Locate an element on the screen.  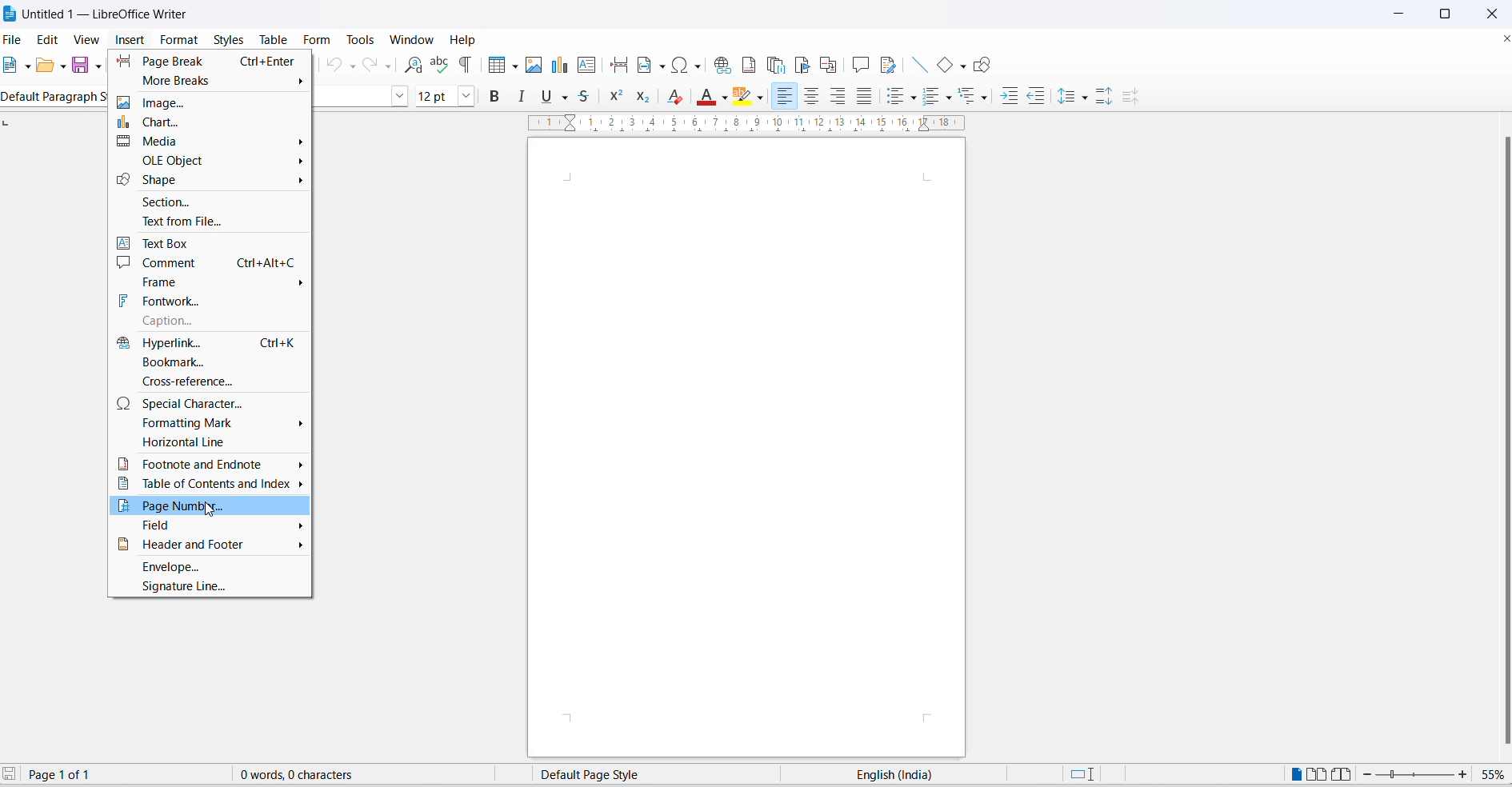
horizontal line is located at coordinates (211, 442).